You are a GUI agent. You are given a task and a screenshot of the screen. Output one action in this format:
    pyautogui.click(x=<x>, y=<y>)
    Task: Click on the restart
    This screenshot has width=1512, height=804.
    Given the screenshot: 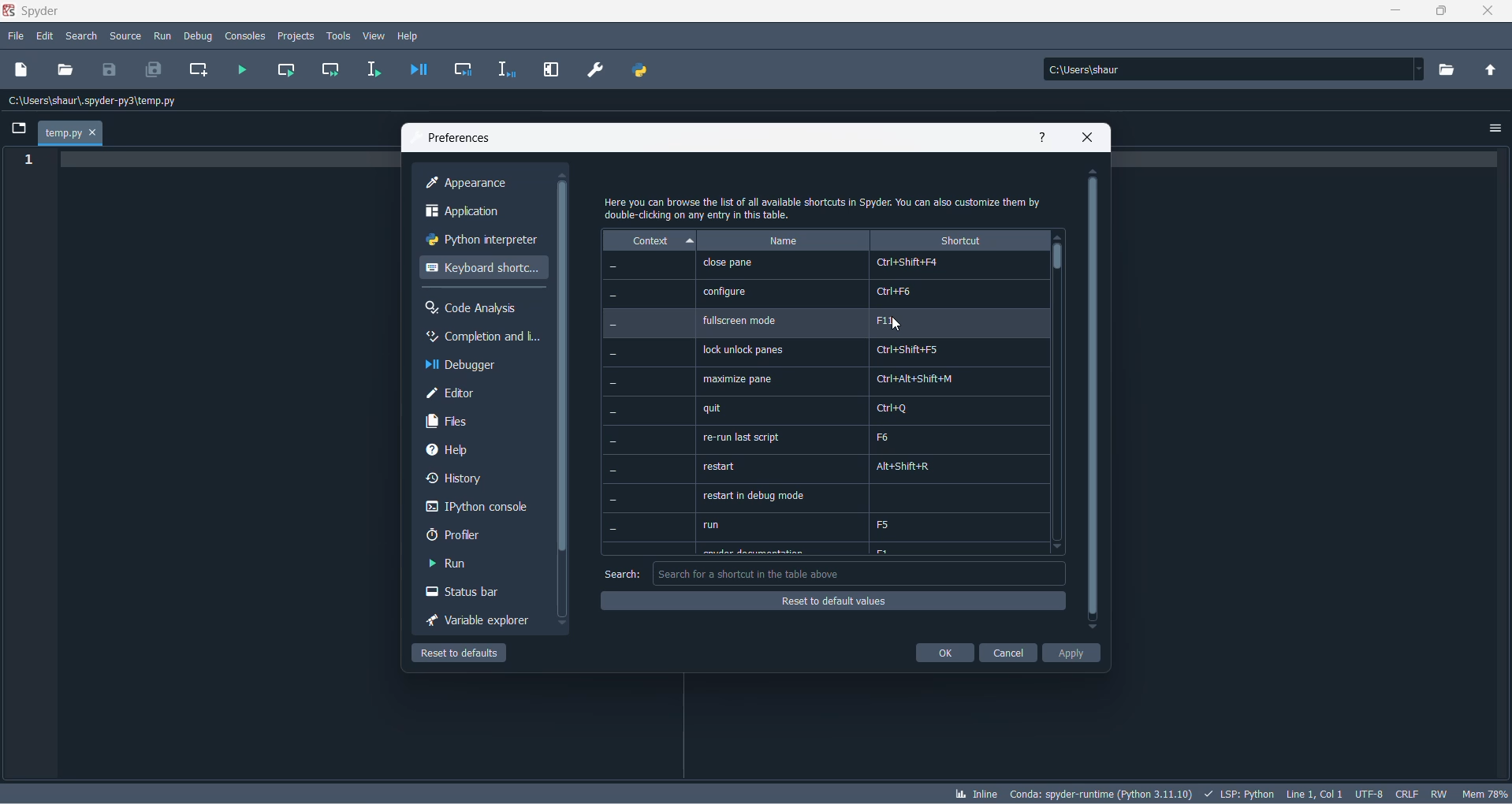 What is the action you would take?
    pyautogui.click(x=721, y=467)
    